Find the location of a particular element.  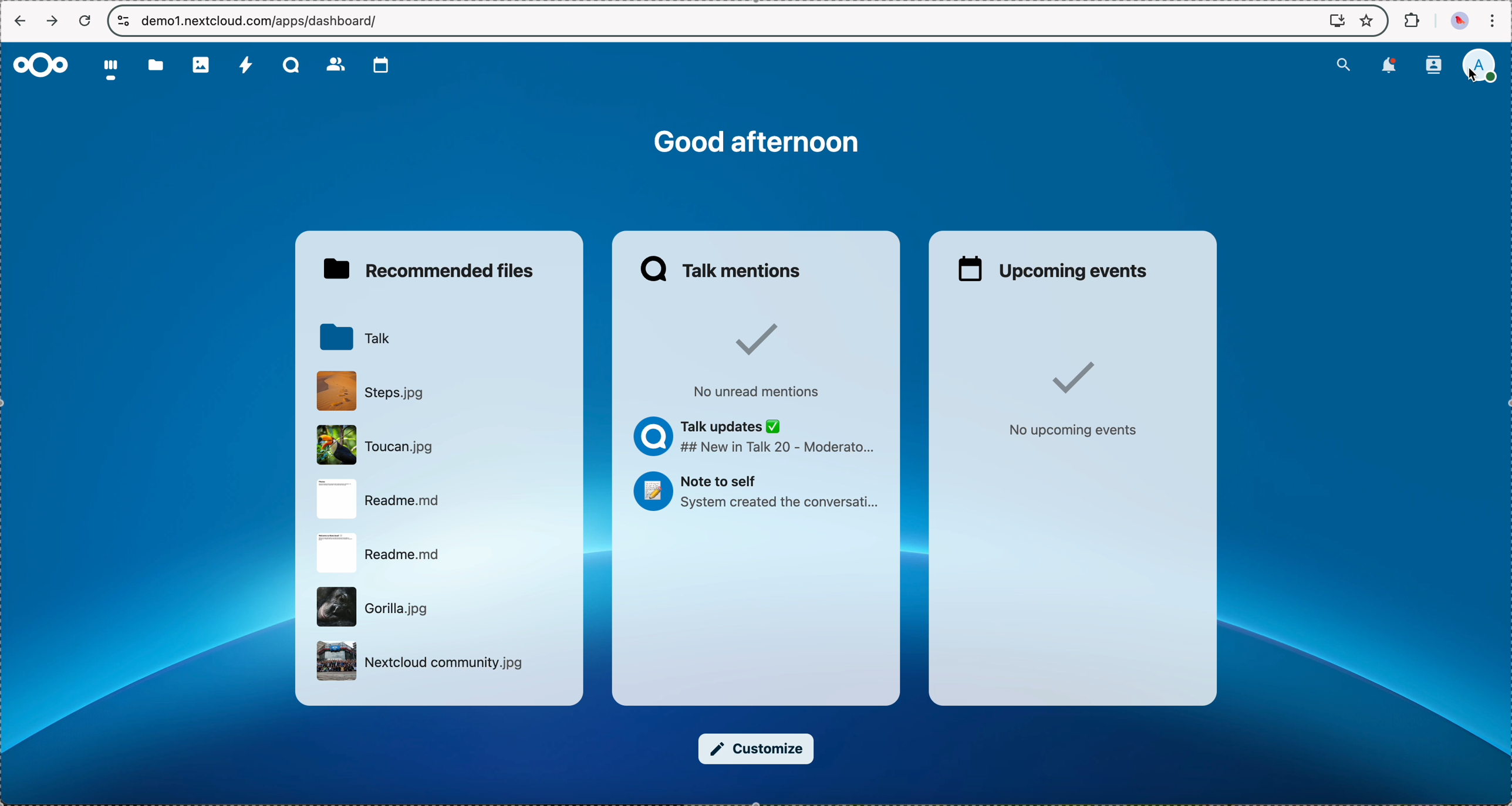

recommended files is located at coordinates (427, 270).